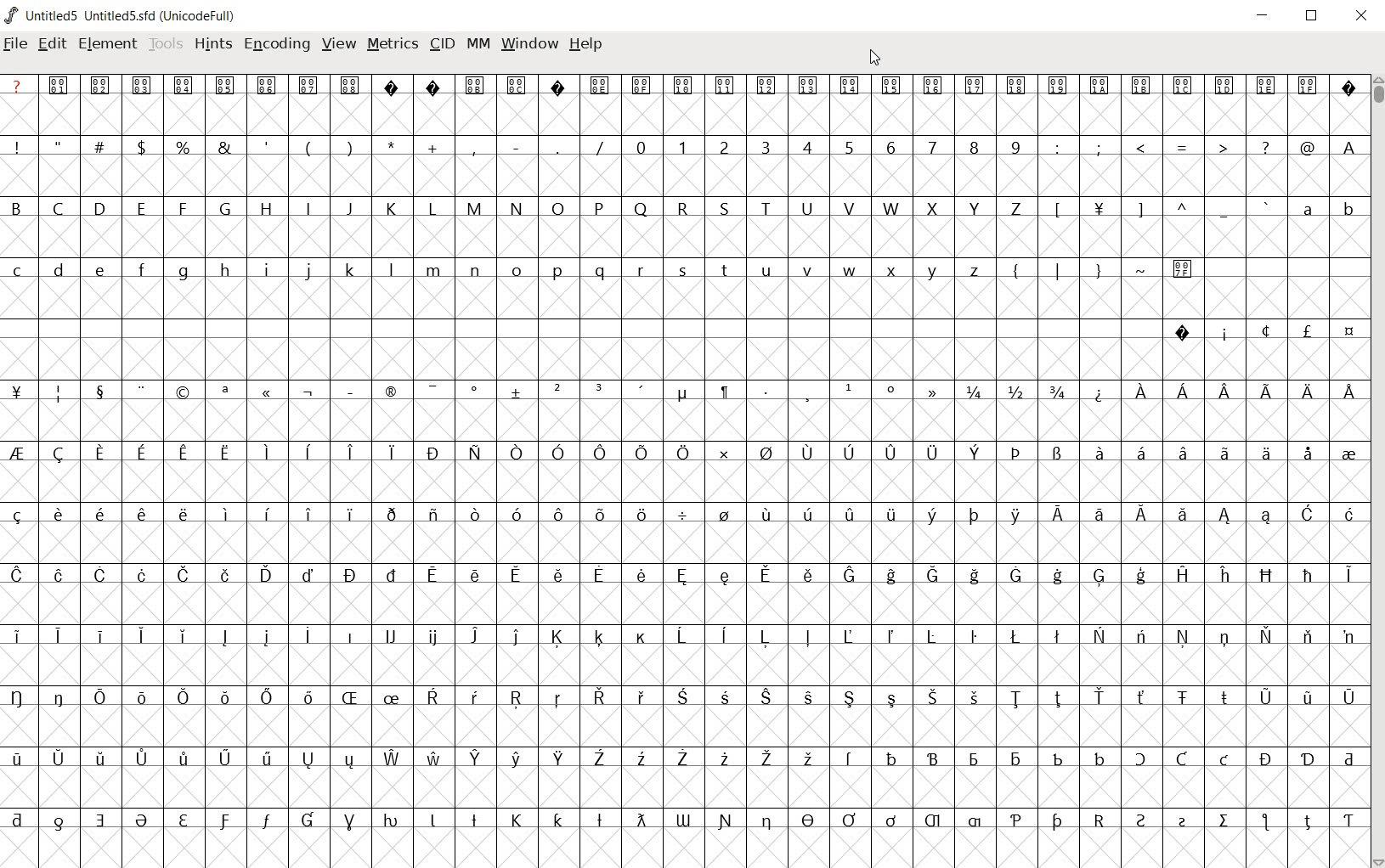 The height and width of the screenshot is (868, 1385). Describe the element at coordinates (1142, 88) in the screenshot. I see `Symbol` at that location.